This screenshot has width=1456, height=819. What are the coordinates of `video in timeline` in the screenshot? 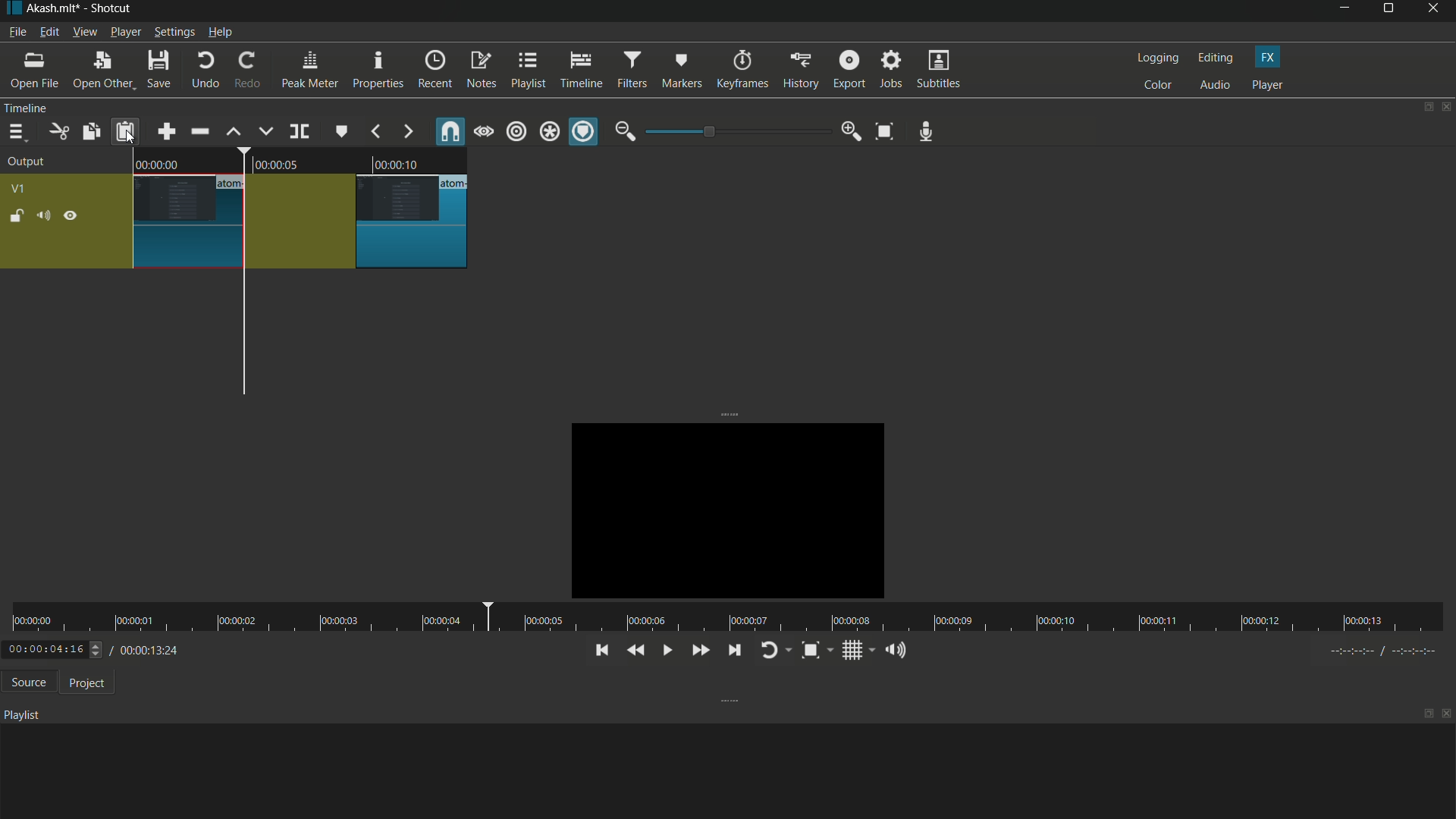 It's located at (189, 221).